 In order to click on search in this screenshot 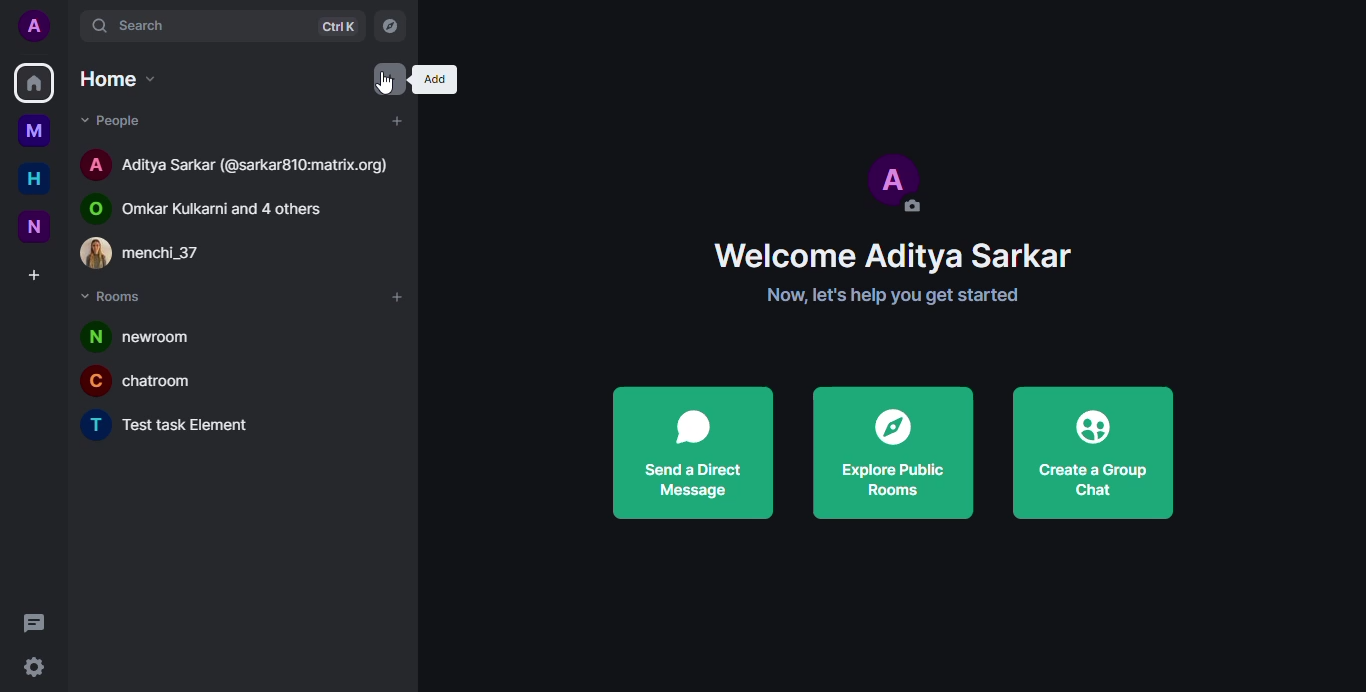, I will do `click(155, 25)`.